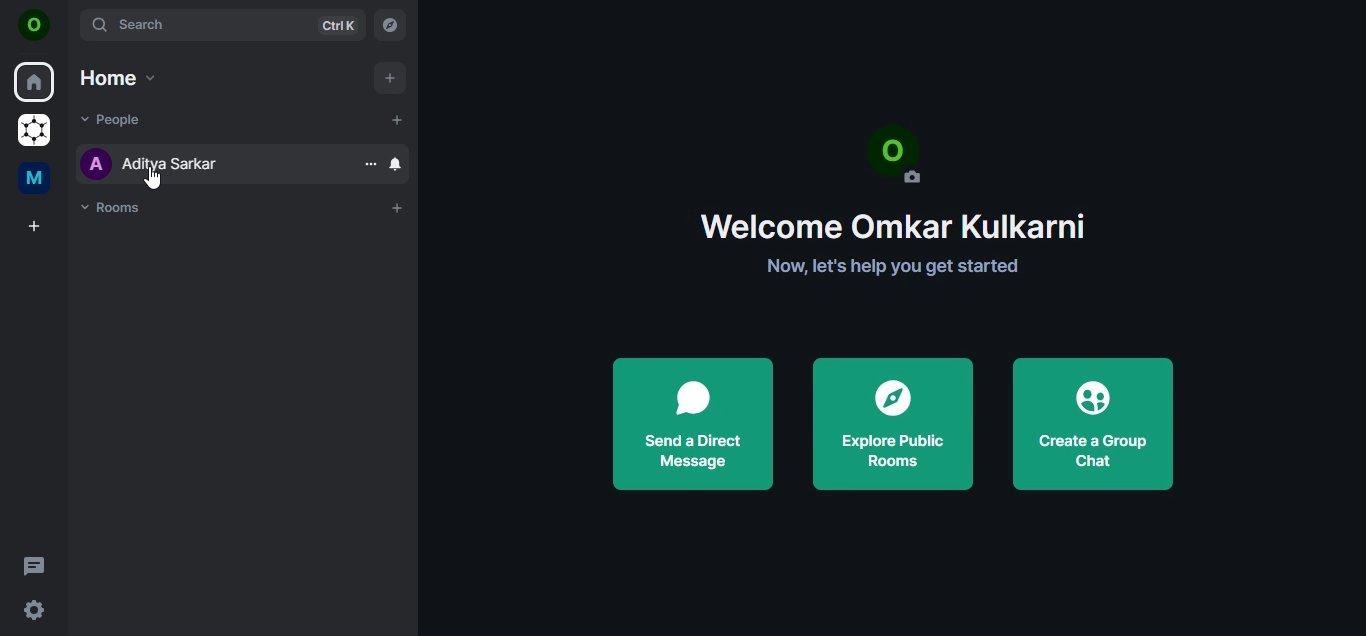 The width and height of the screenshot is (1366, 636). What do you see at coordinates (37, 25) in the screenshot?
I see `O` at bounding box center [37, 25].